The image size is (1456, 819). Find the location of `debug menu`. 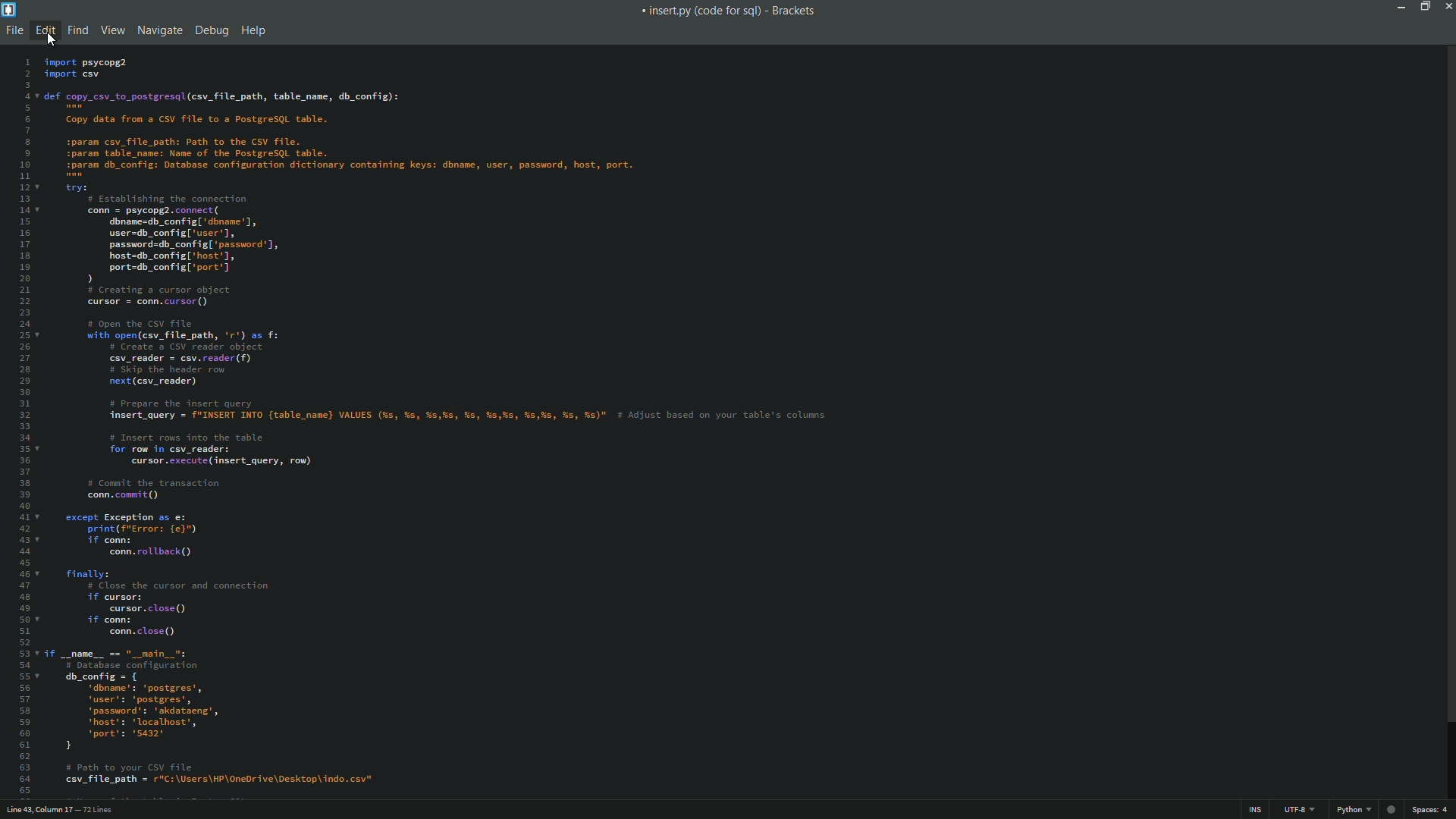

debug menu is located at coordinates (212, 30).